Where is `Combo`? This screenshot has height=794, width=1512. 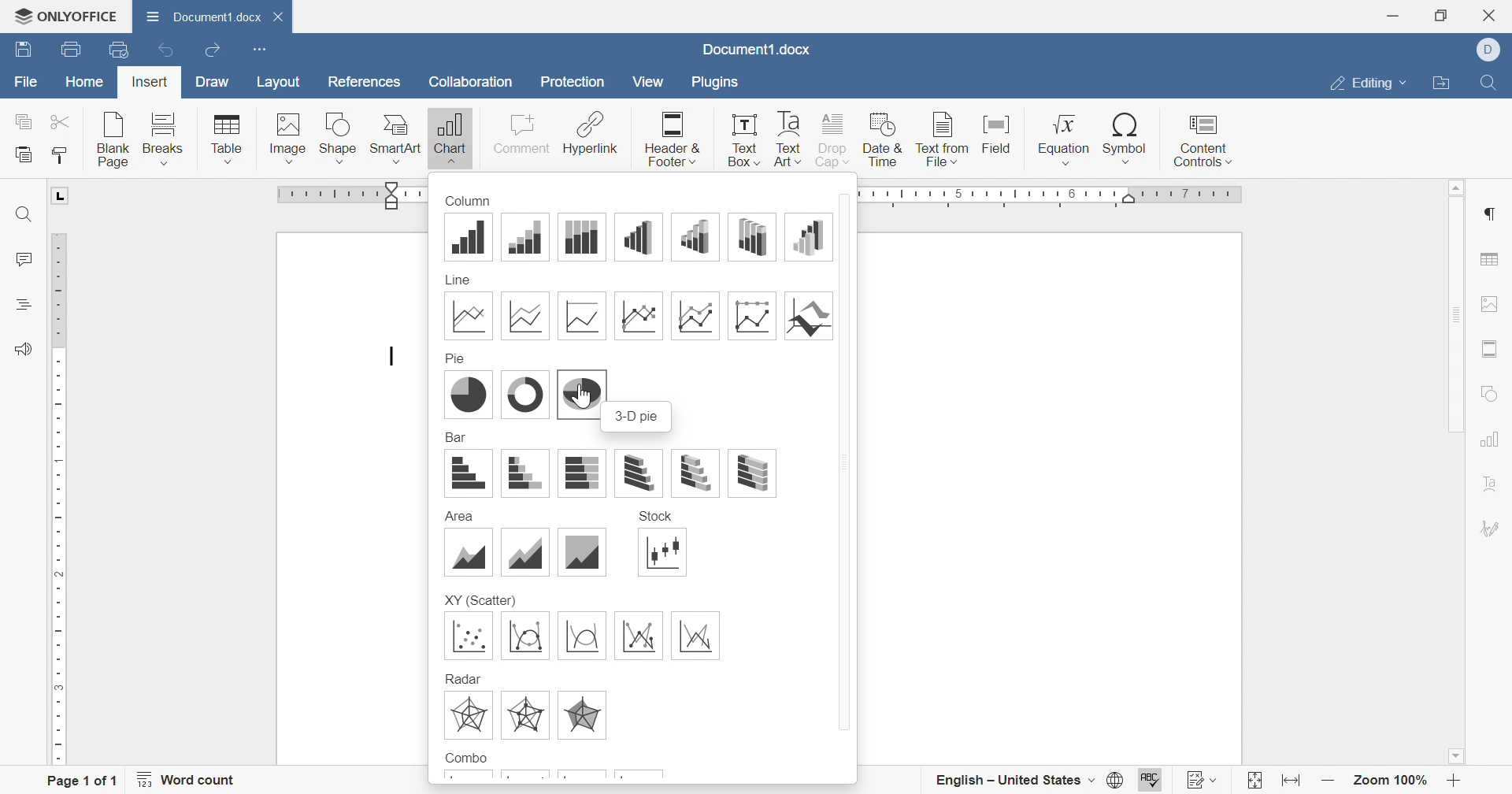
Combo is located at coordinates (465, 756).